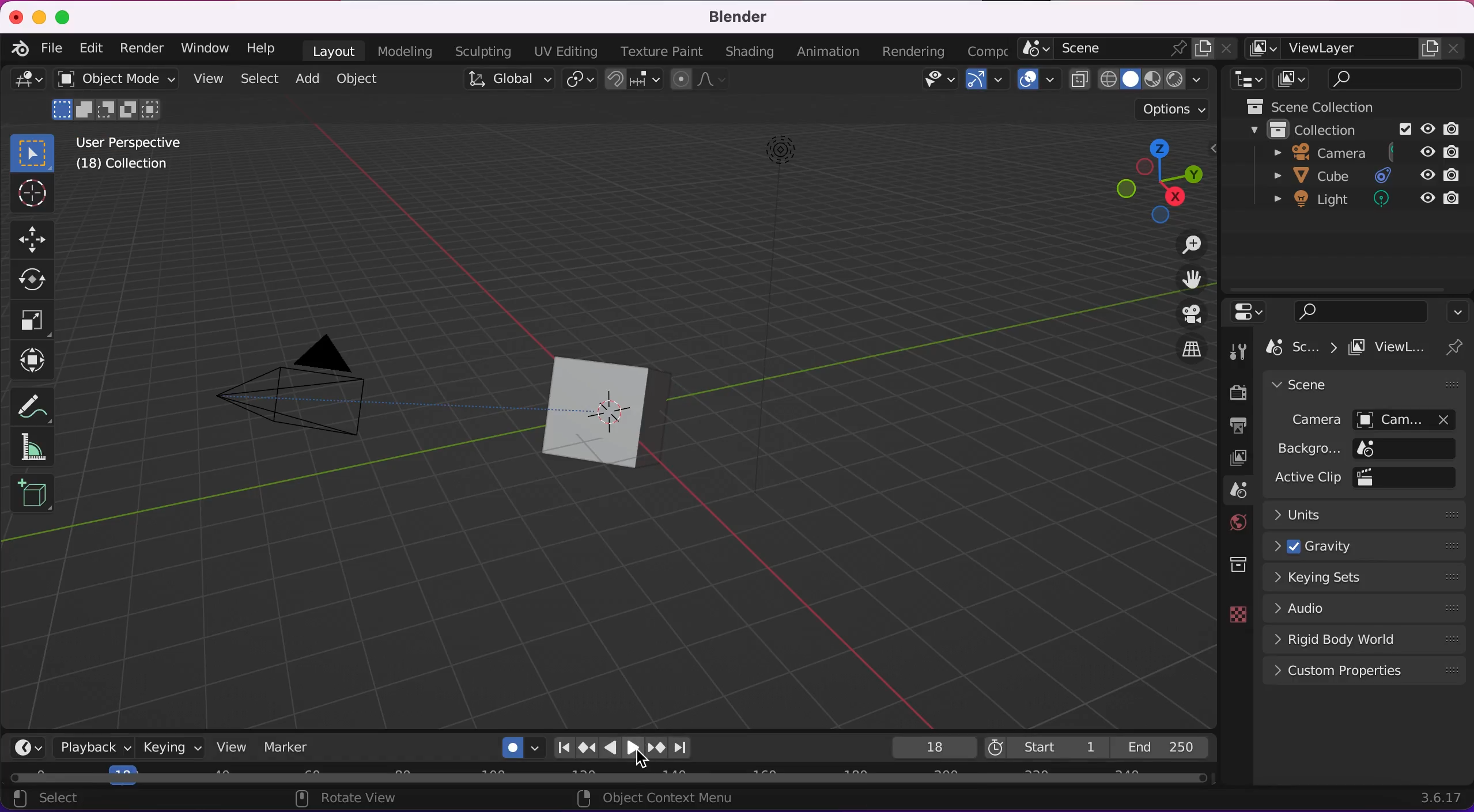  Describe the element at coordinates (33, 280) in the screenshot. I see `rotate` at that location.